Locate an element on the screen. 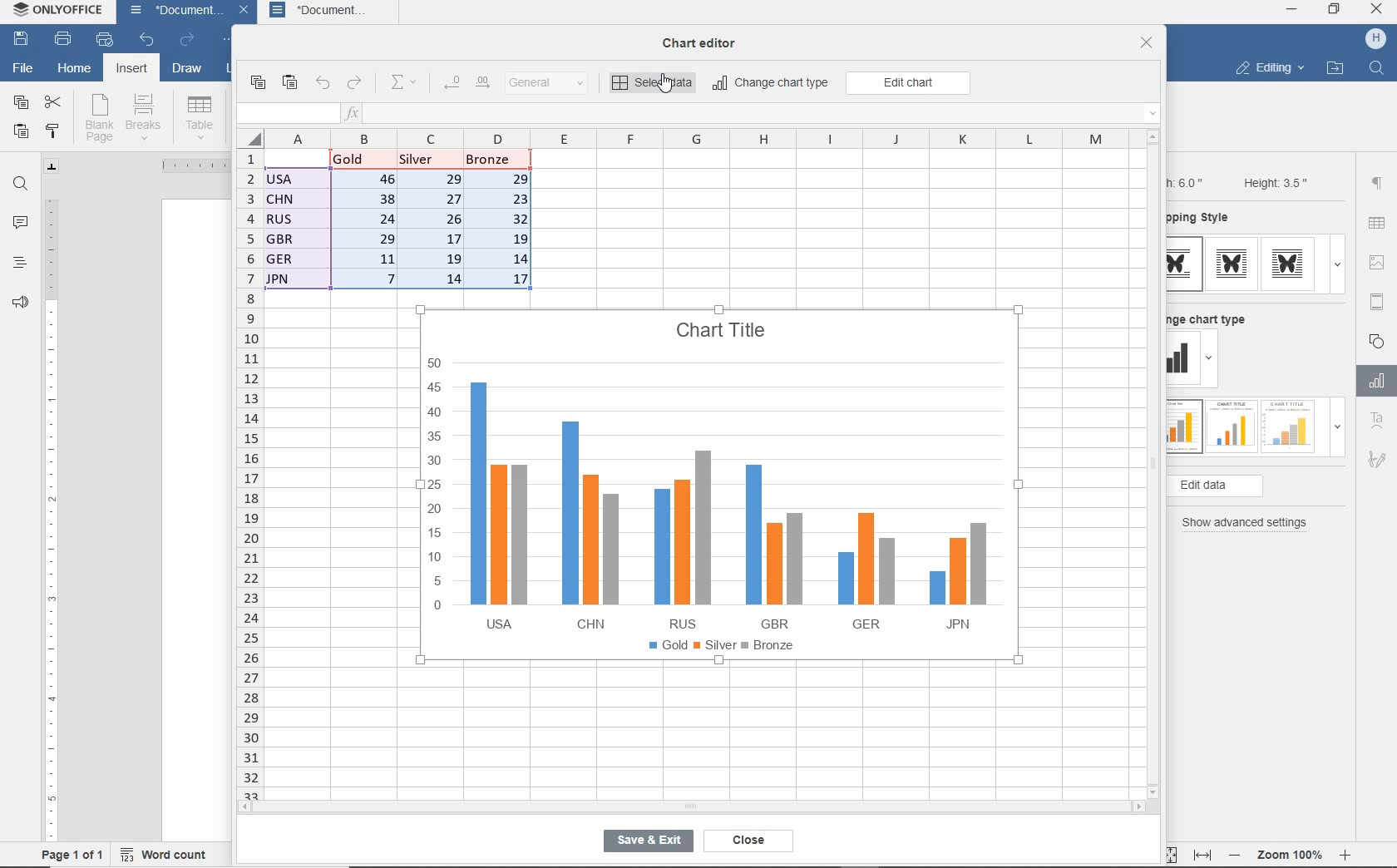 The height and width of the screenshot is (868, 1397). restore down is located at coordinates (1335, 11).